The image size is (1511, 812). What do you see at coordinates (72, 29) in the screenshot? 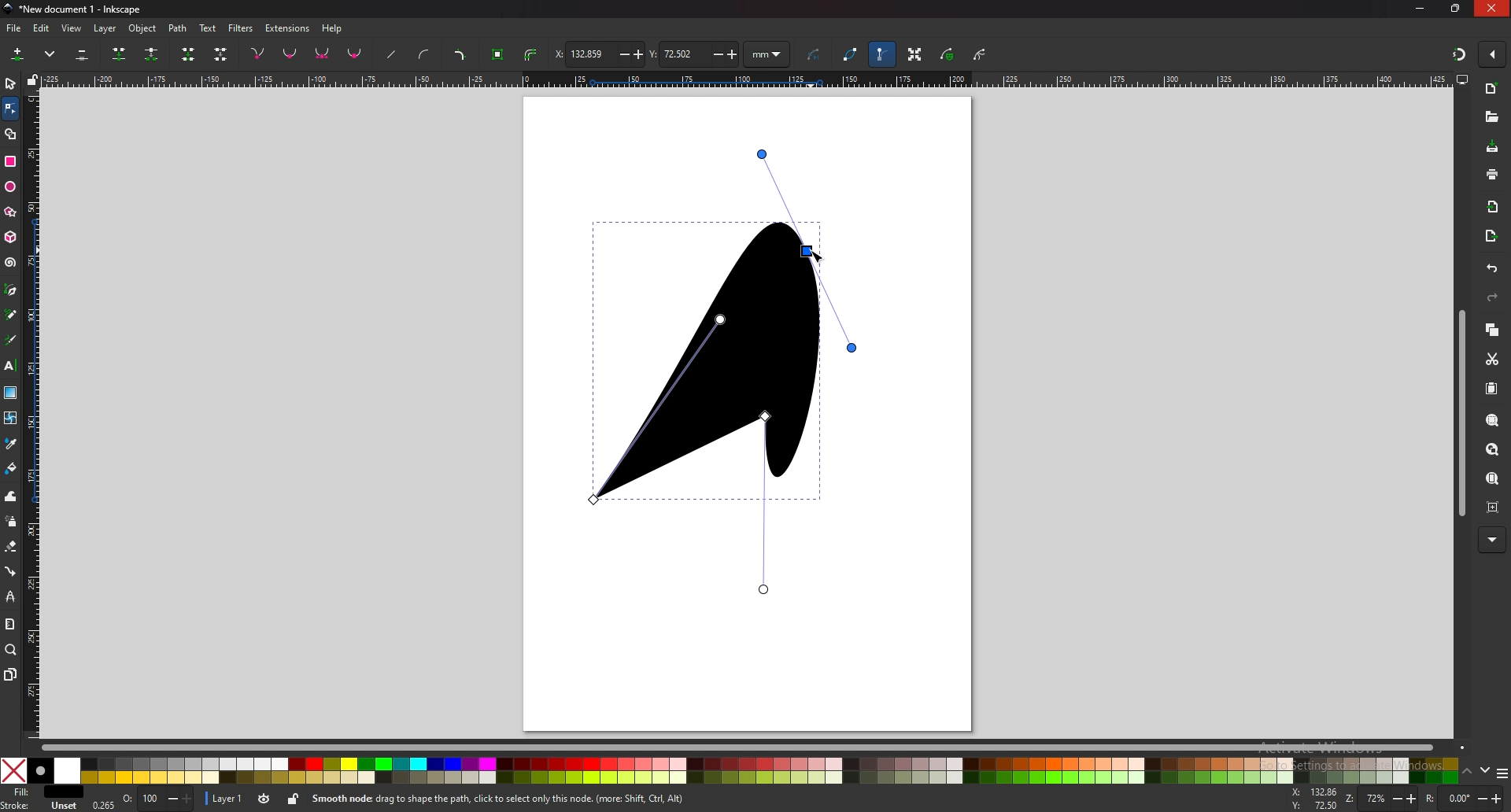
I see `view` at bounding box center [72, 29].